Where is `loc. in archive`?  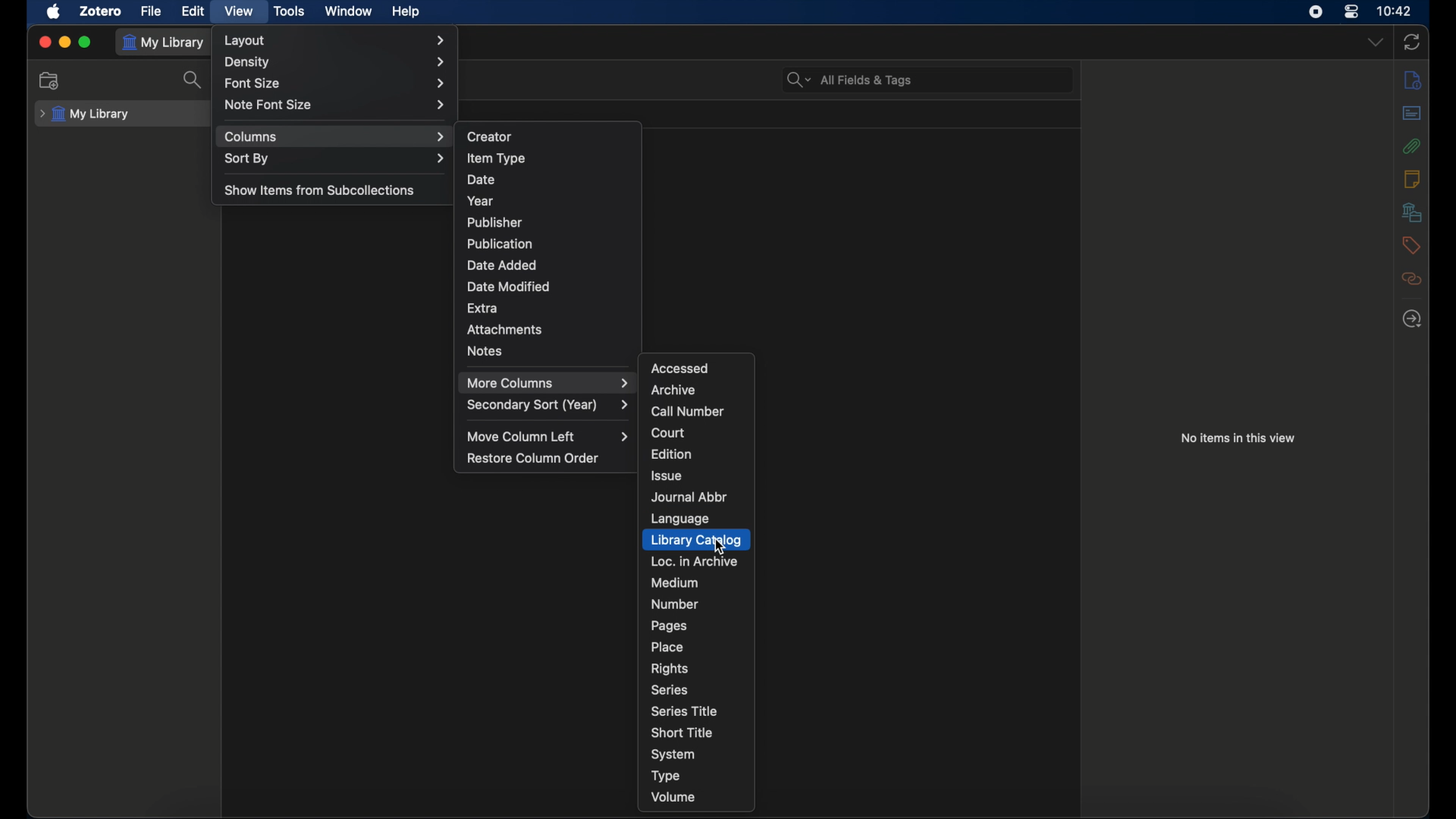
loc. in archive is located at coordinates (695, 561).